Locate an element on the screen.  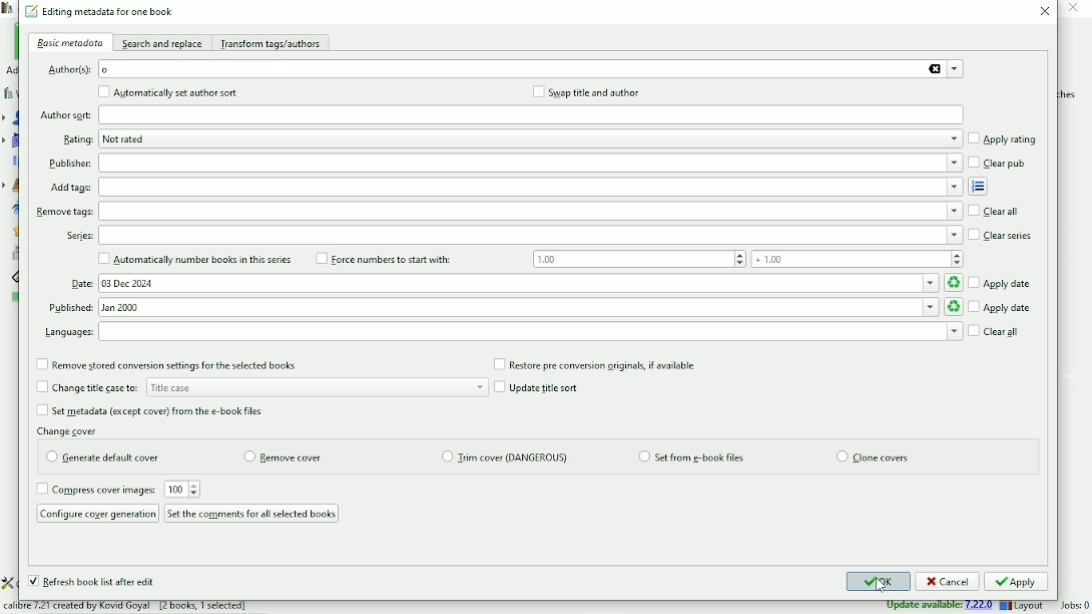
Clear series is located at coordinates (1002, 236).